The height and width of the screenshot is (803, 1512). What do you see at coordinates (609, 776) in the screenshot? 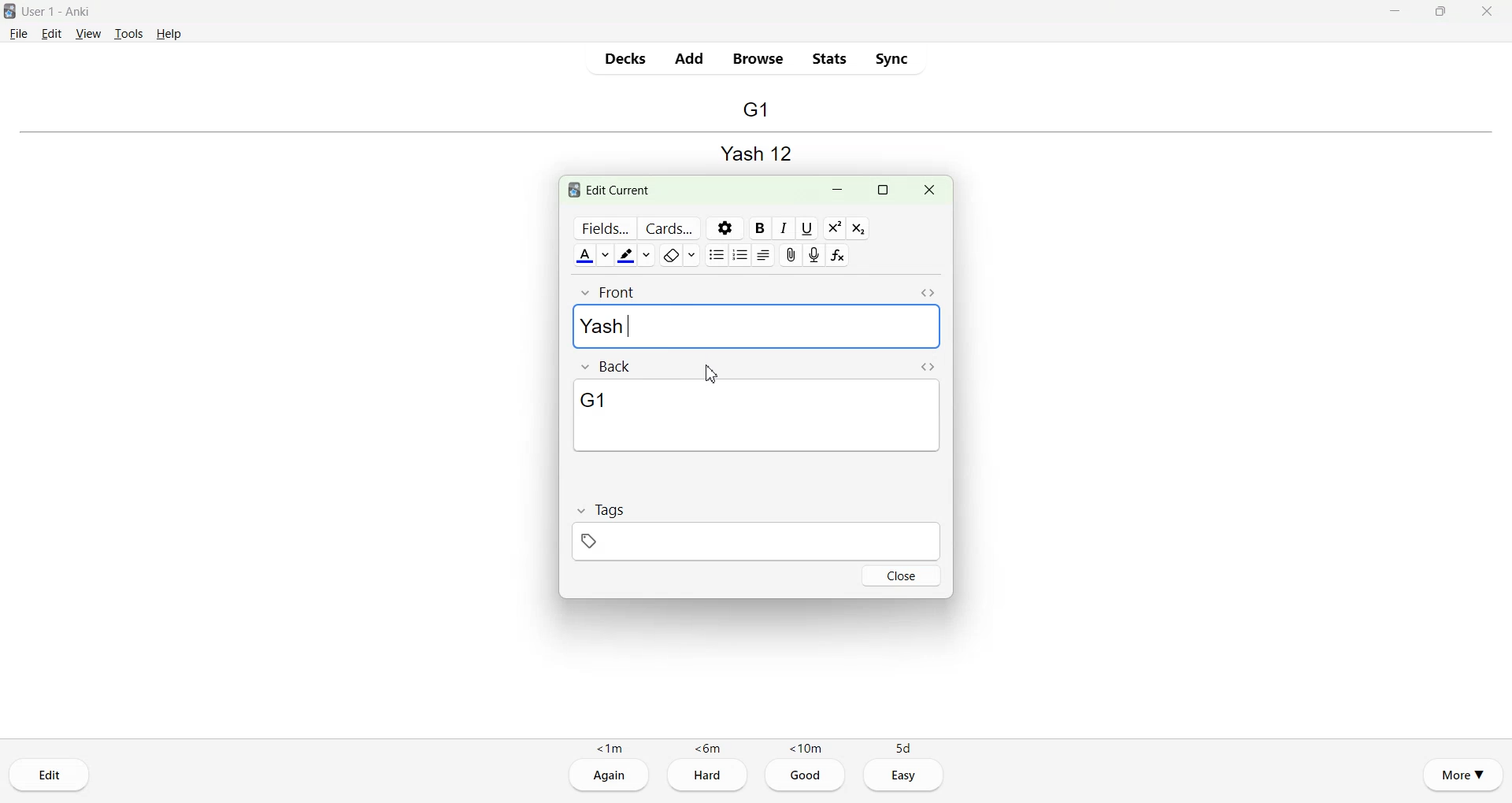
I see `Again` at bounding box center [609, 776].